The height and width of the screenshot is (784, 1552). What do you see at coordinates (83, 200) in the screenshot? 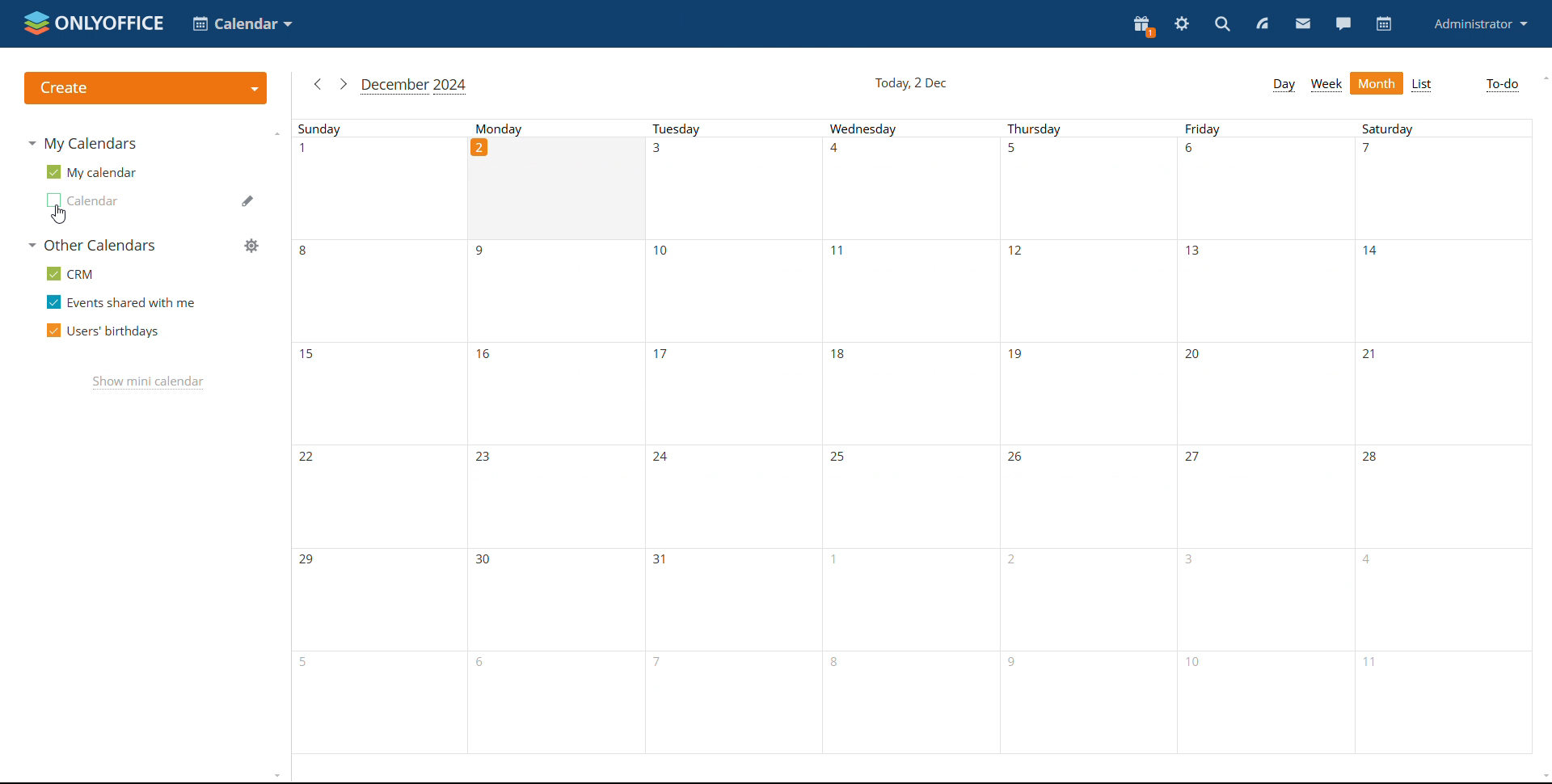
I see `calendar` at bounding box center [83, 200].